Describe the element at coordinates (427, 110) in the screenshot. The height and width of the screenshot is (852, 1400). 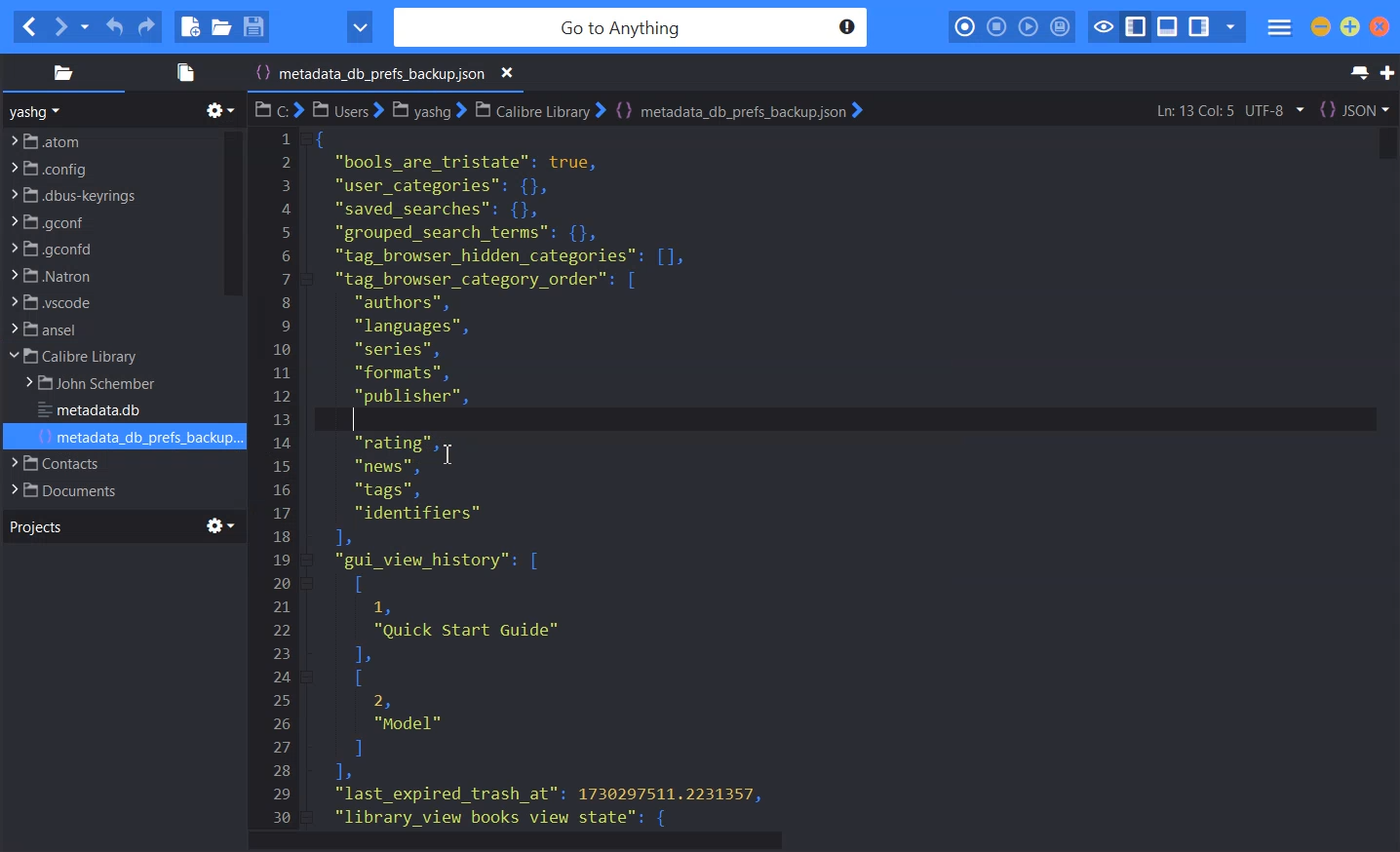
I see `yashg File` at that location.